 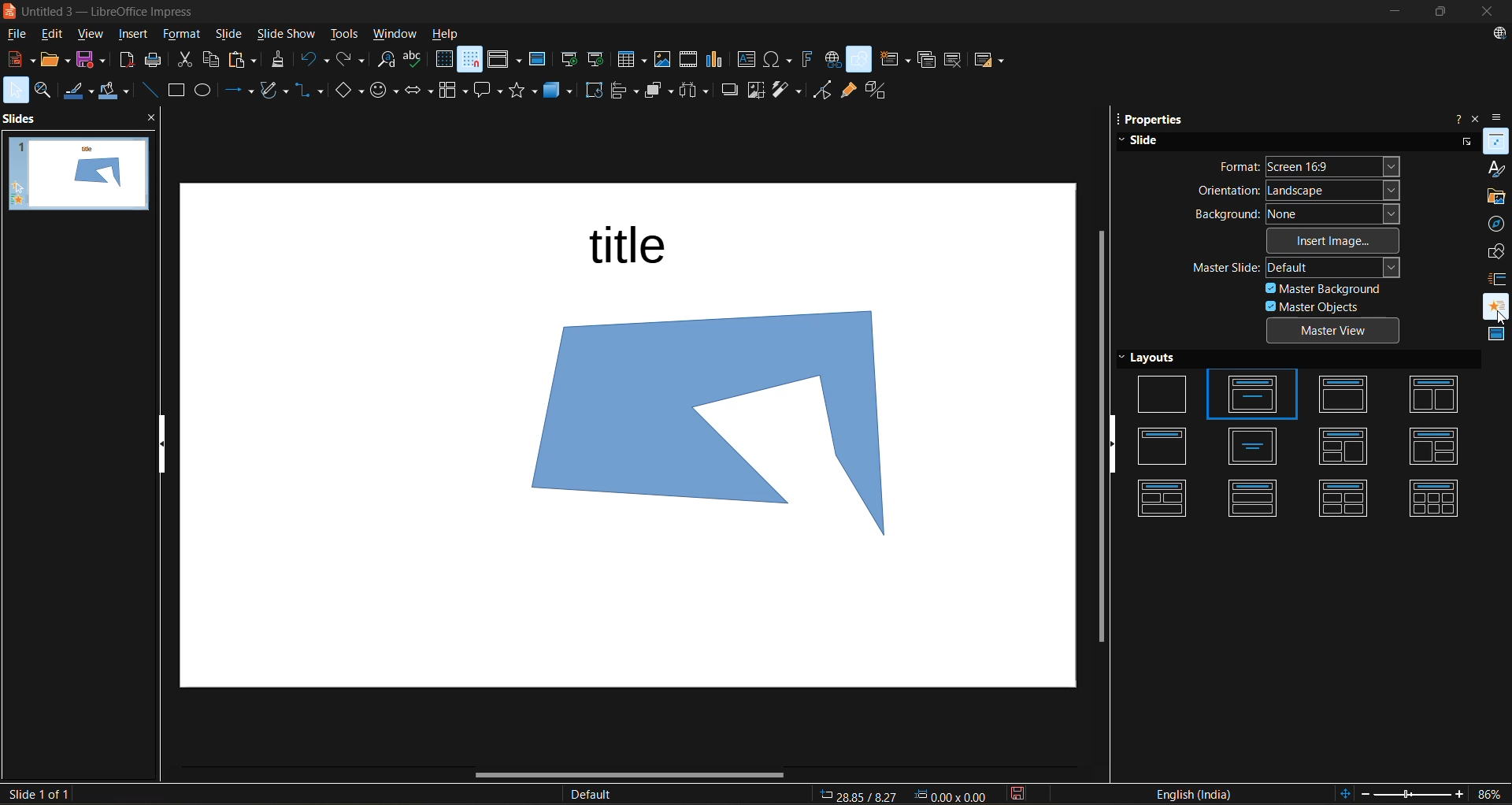 What do you see at coordinates (598, 61) in the screenshot?
I see `start from current slide` at bounding box center [598, 61].